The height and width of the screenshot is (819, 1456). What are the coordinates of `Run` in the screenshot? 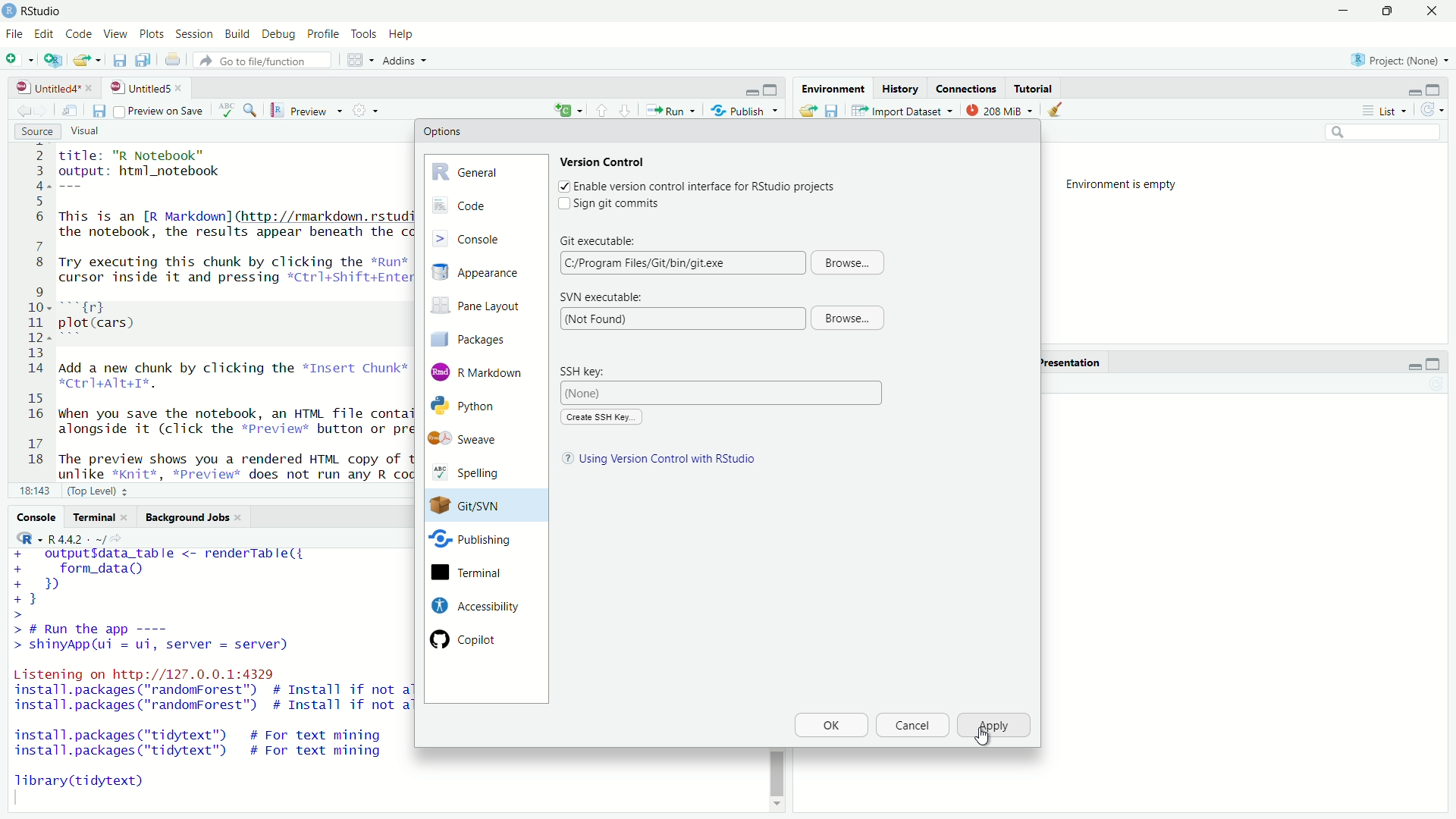 It's located at (670, 110).